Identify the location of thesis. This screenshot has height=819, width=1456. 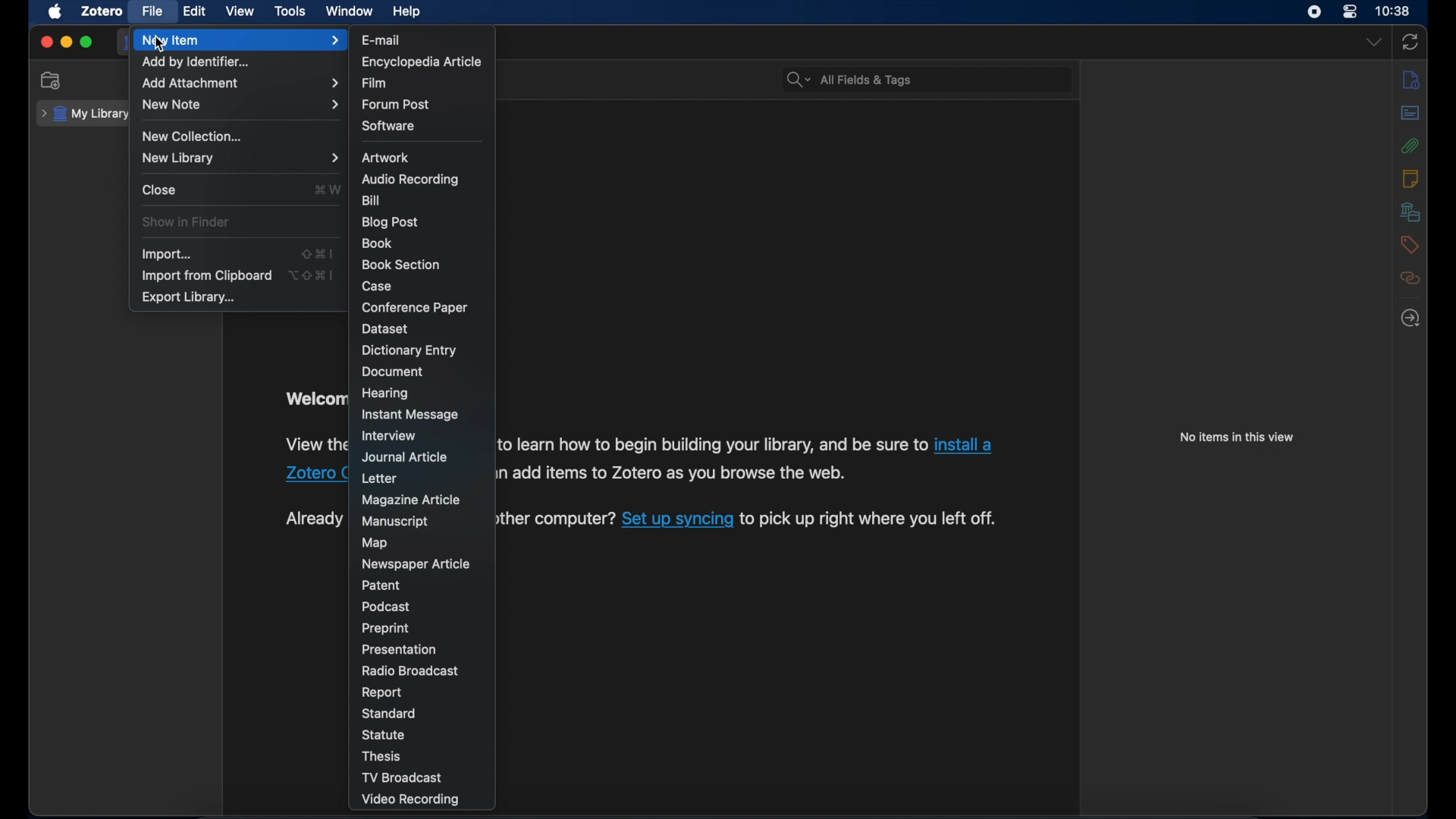
(381, 757).